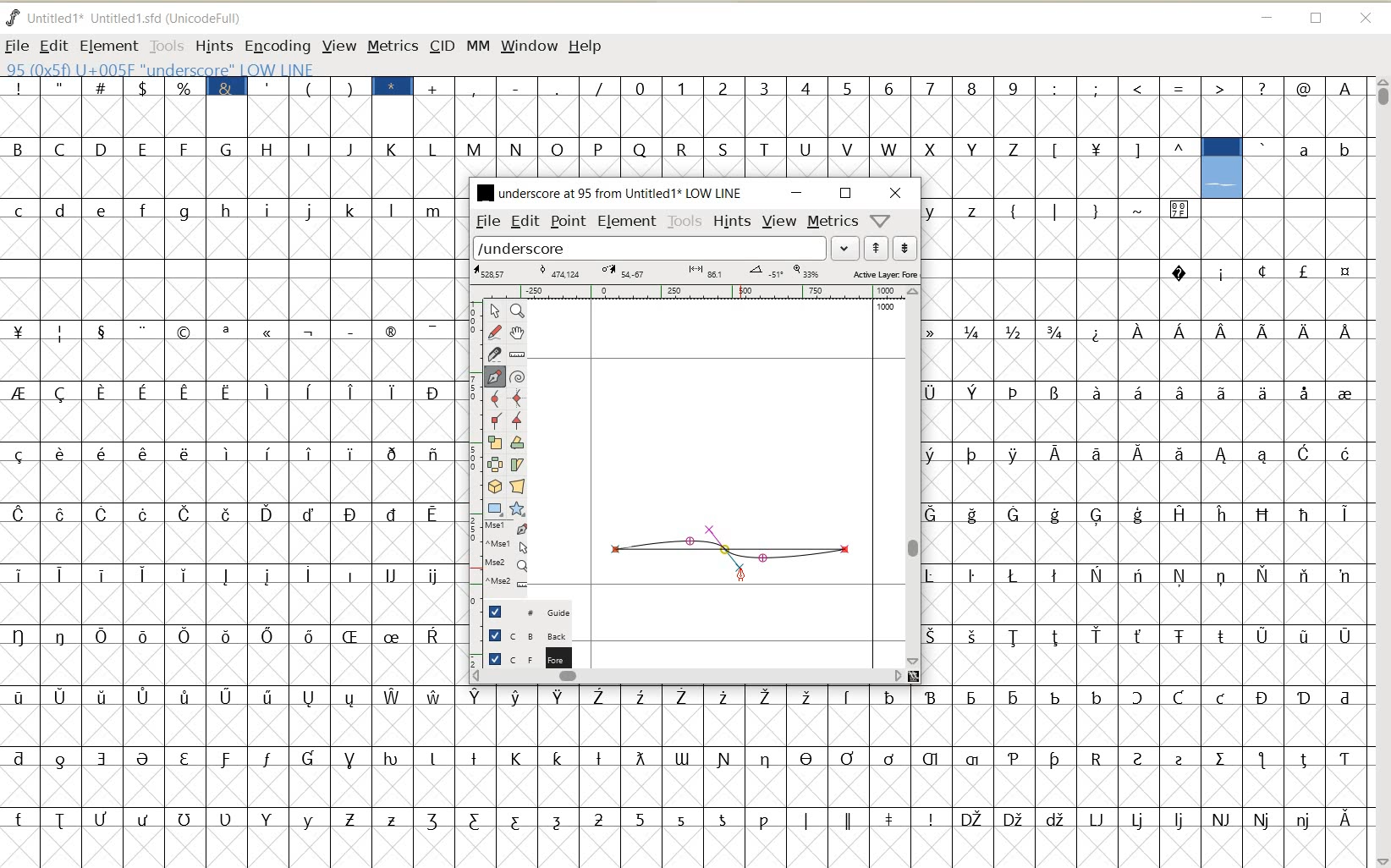 The image size is (1391, 868). Describe the element at coordinates (732, 221) in the screenshot. I see `HINTS` at that location.